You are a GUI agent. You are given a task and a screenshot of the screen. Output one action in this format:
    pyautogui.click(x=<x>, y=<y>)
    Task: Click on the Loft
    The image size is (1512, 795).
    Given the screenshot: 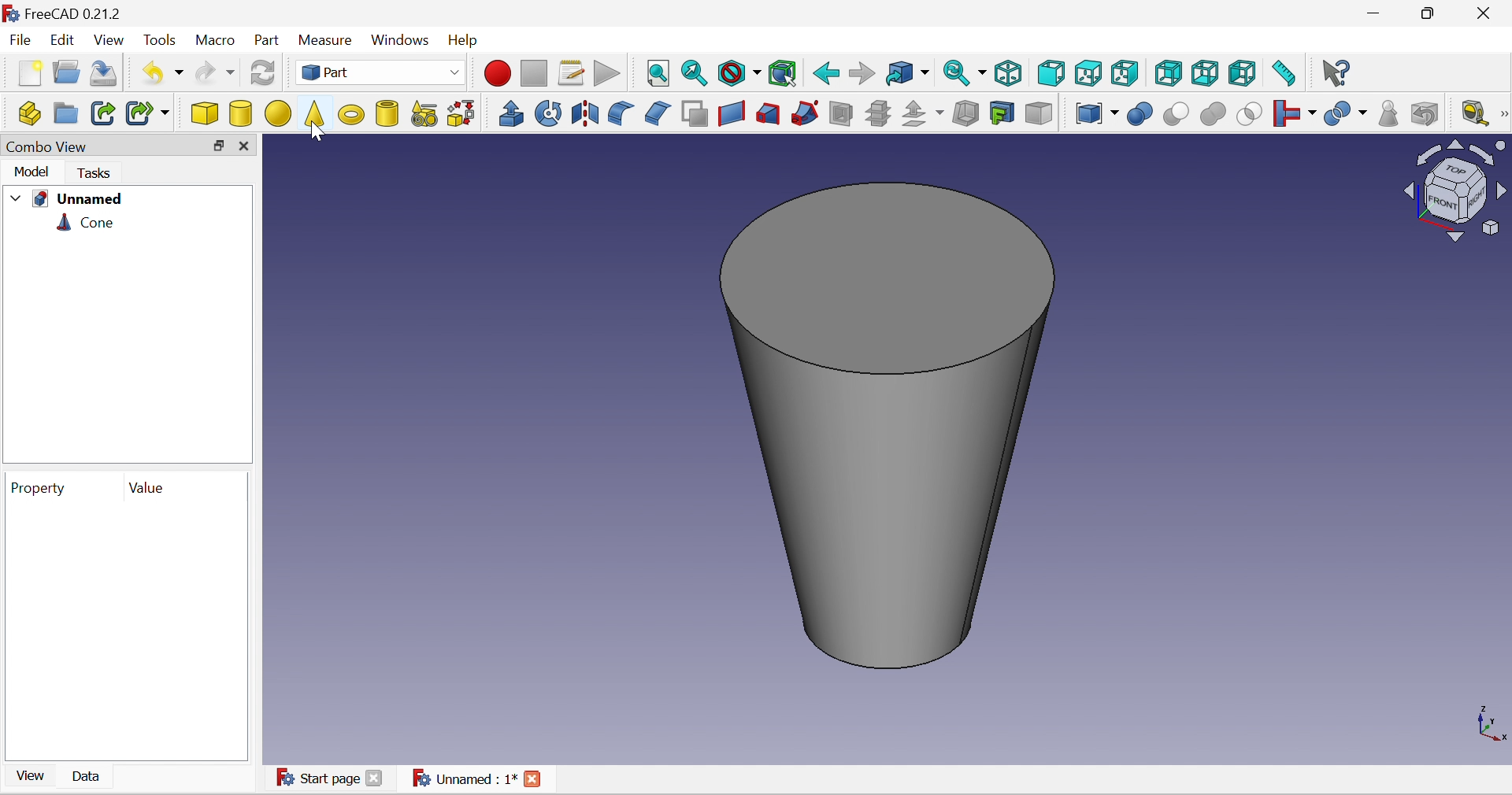 What is the action you would take?
    pyautogui.click(x=771, y=115)
    